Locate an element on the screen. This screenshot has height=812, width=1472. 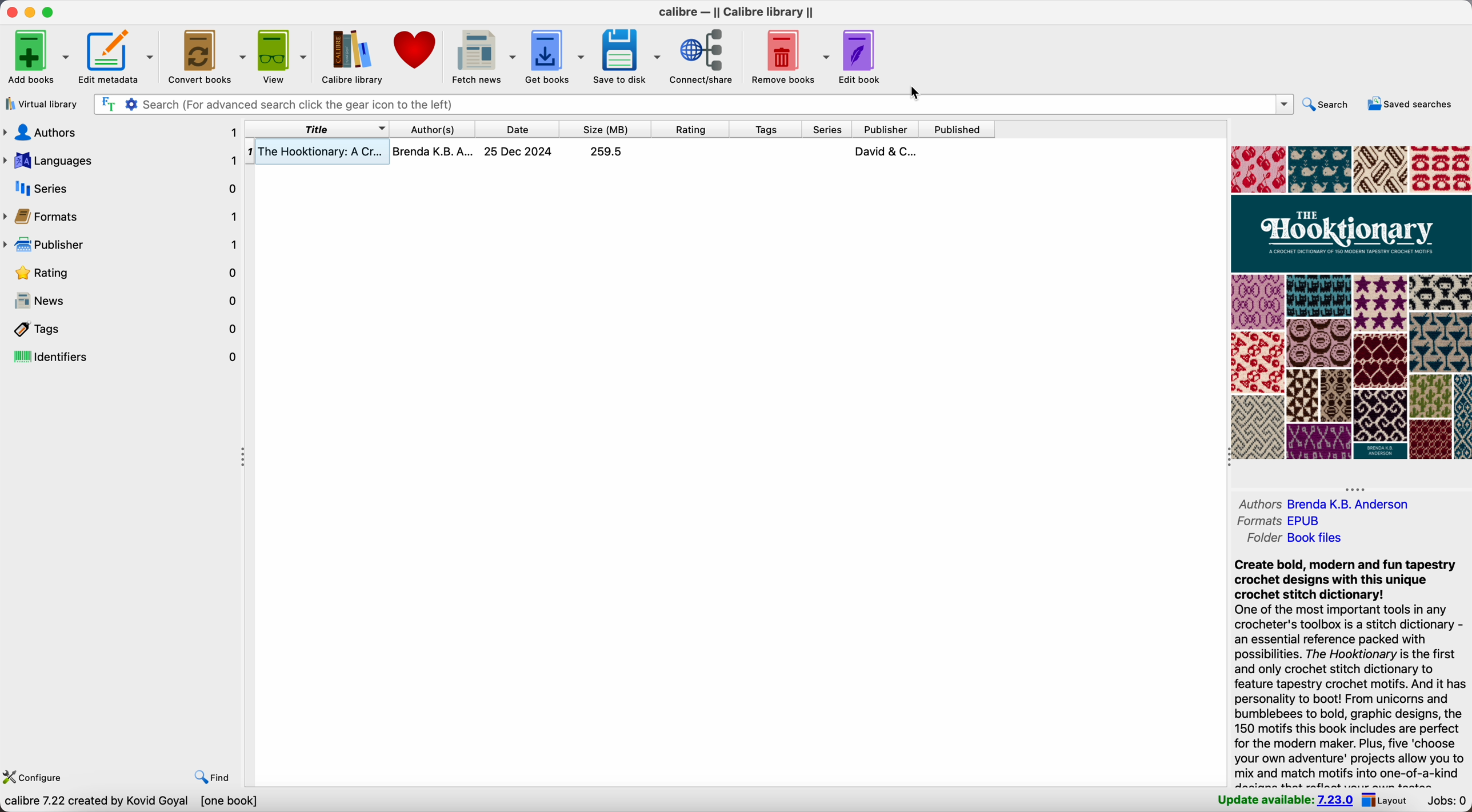
convert books is located at coordinates (206, 55).